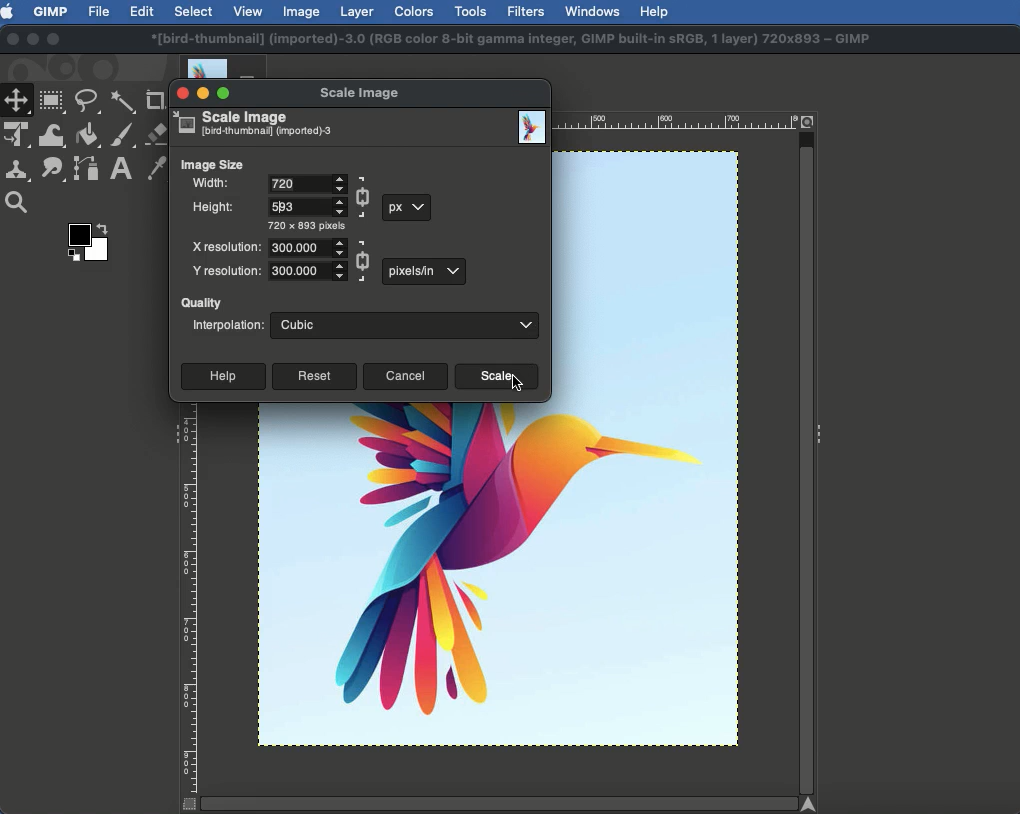 The width and height of the screenshot is (1020, 814). What do you see at coordinates (364, 260) in the screenshot?
I see `Linked` at bounding box center [364, 260].